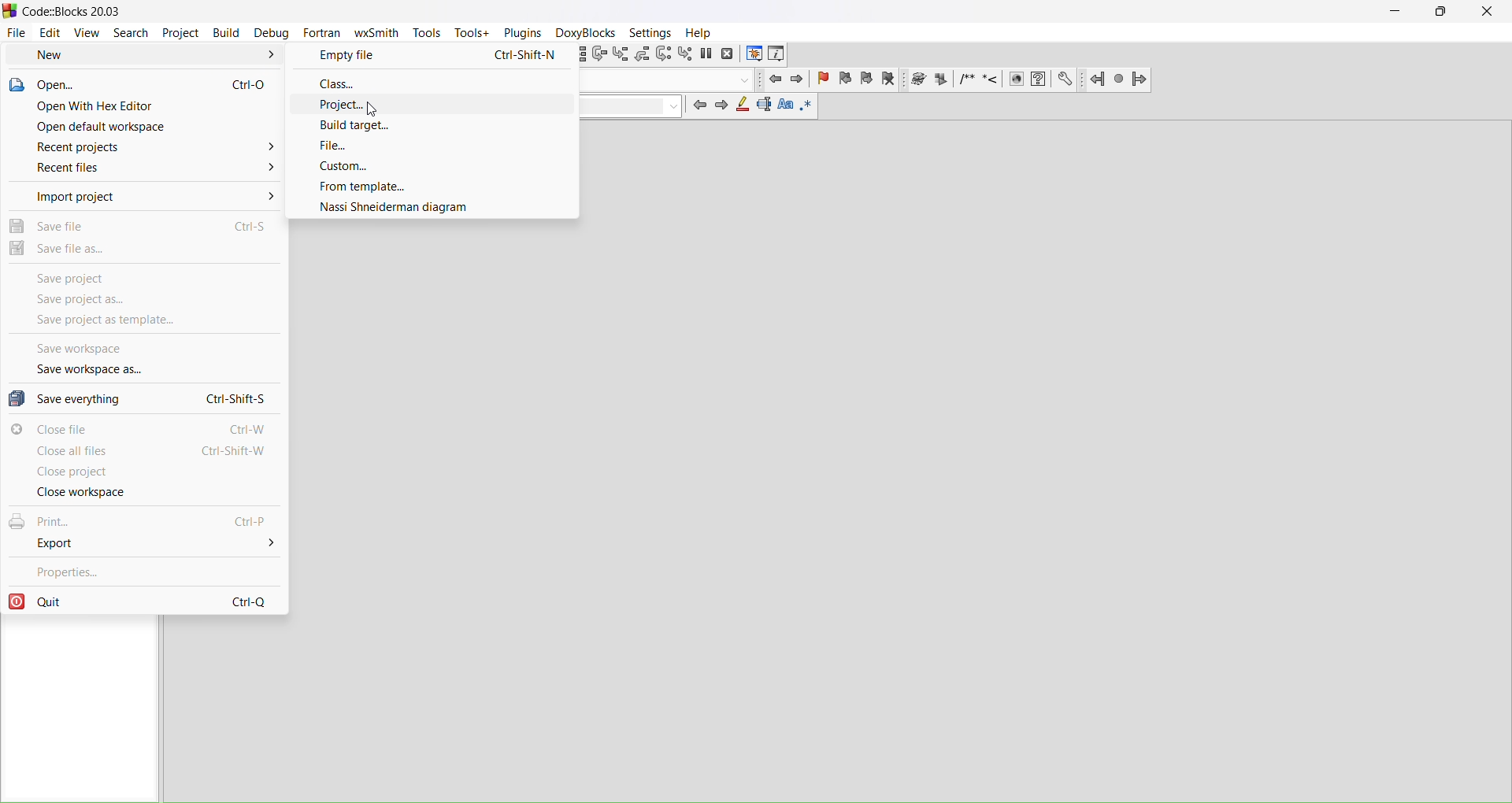 The image size is (1512, 803). I want to click on previous bookmark, so click(847, 80).